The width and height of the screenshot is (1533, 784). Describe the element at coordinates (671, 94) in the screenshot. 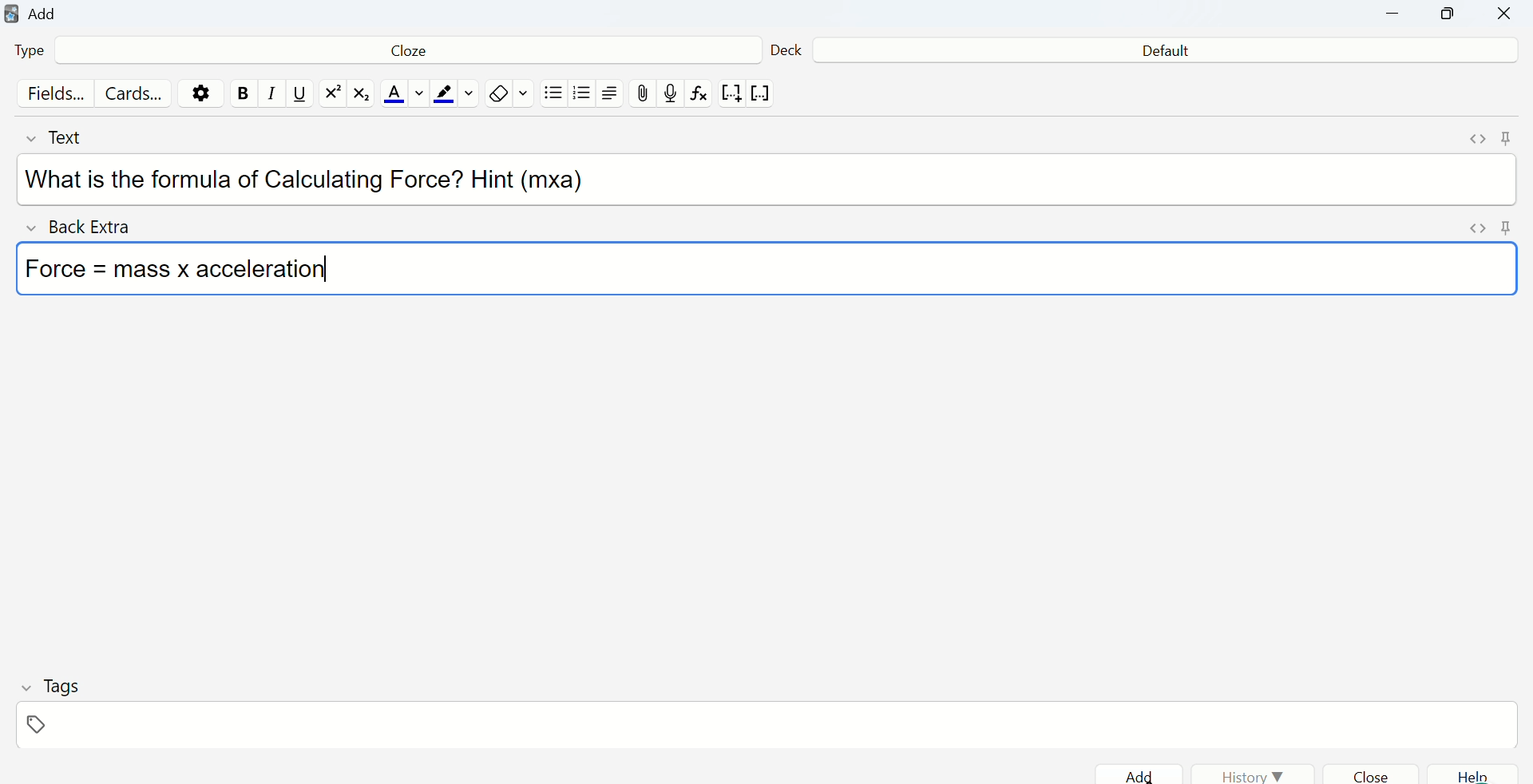

I see `record` at that location.